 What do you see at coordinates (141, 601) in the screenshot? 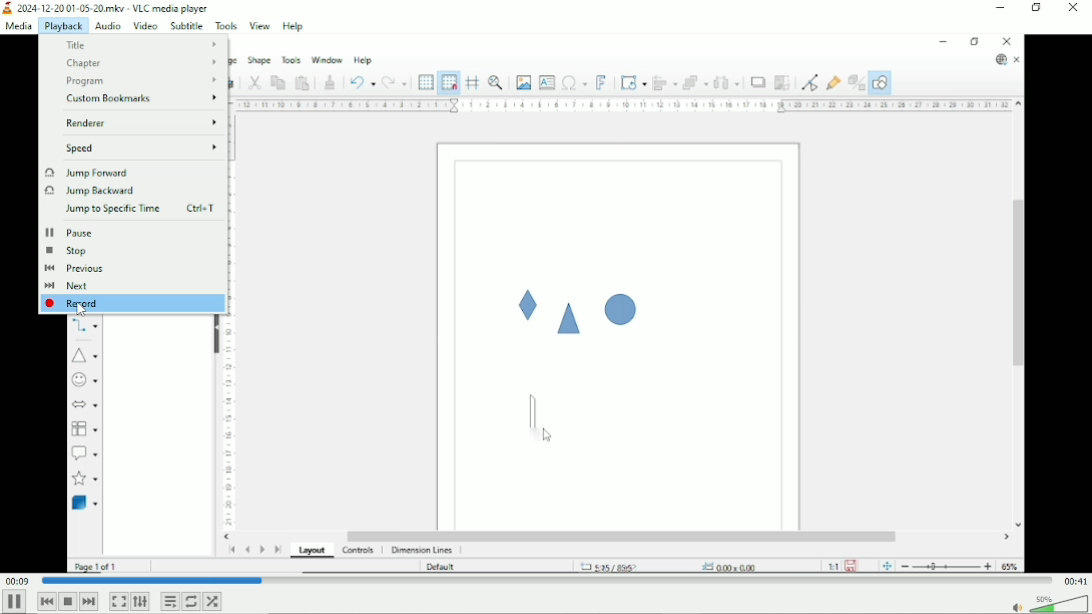
I see `Show extended settings` at bounding box center [141, 601].